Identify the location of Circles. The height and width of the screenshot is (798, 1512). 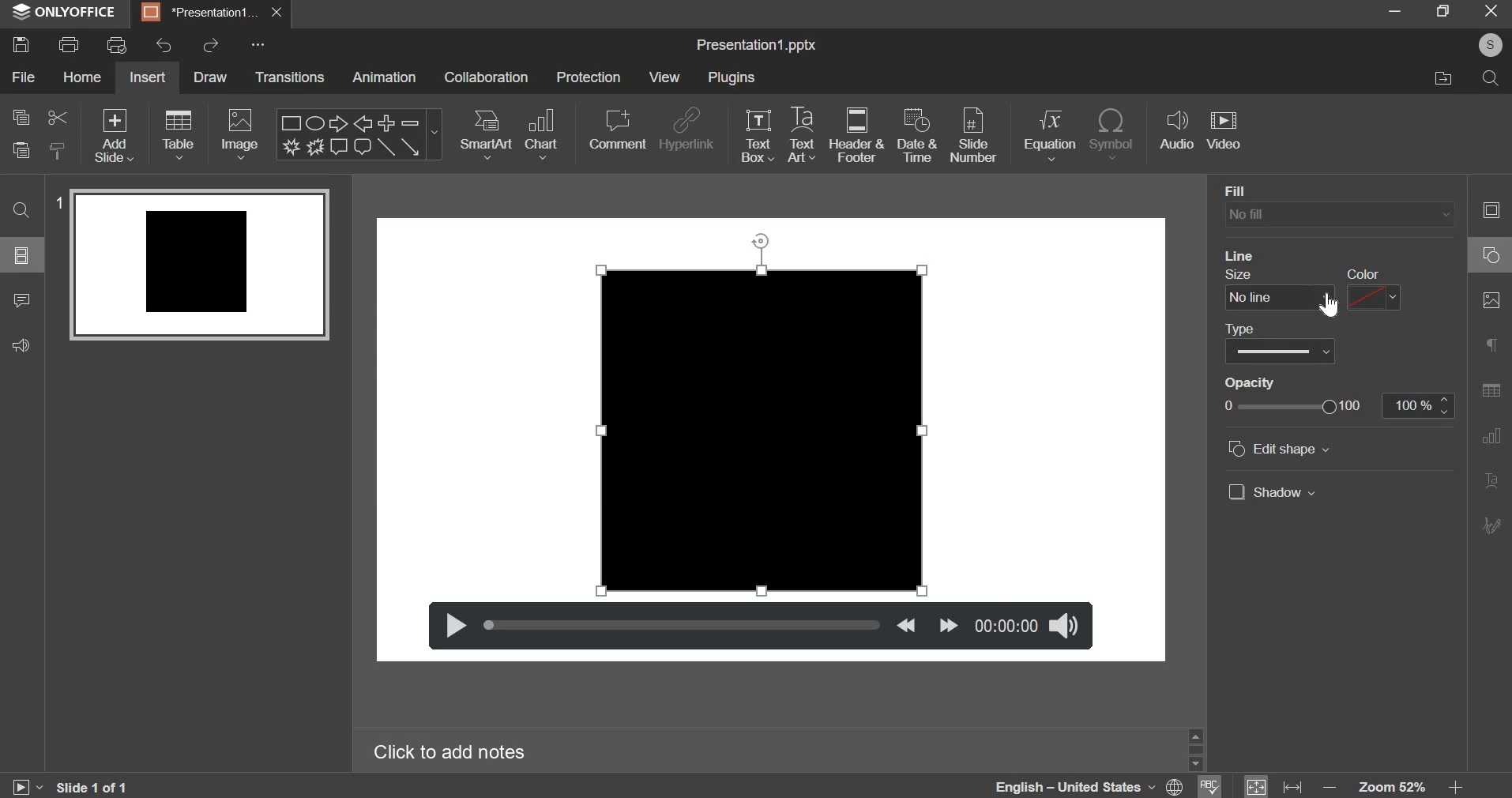
(317, 122).